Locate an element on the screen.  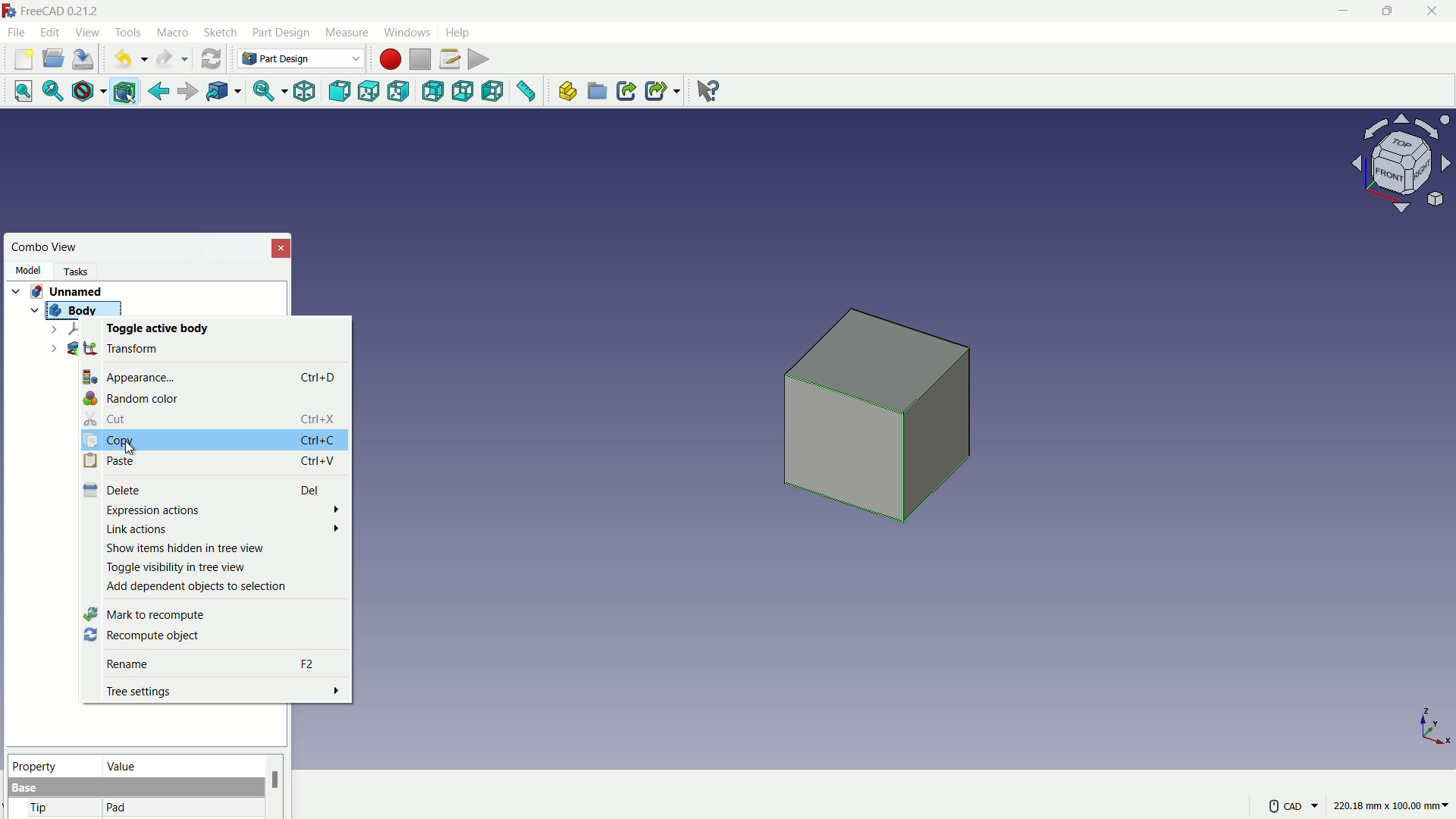
sync view is located at coordinates (263, 93).